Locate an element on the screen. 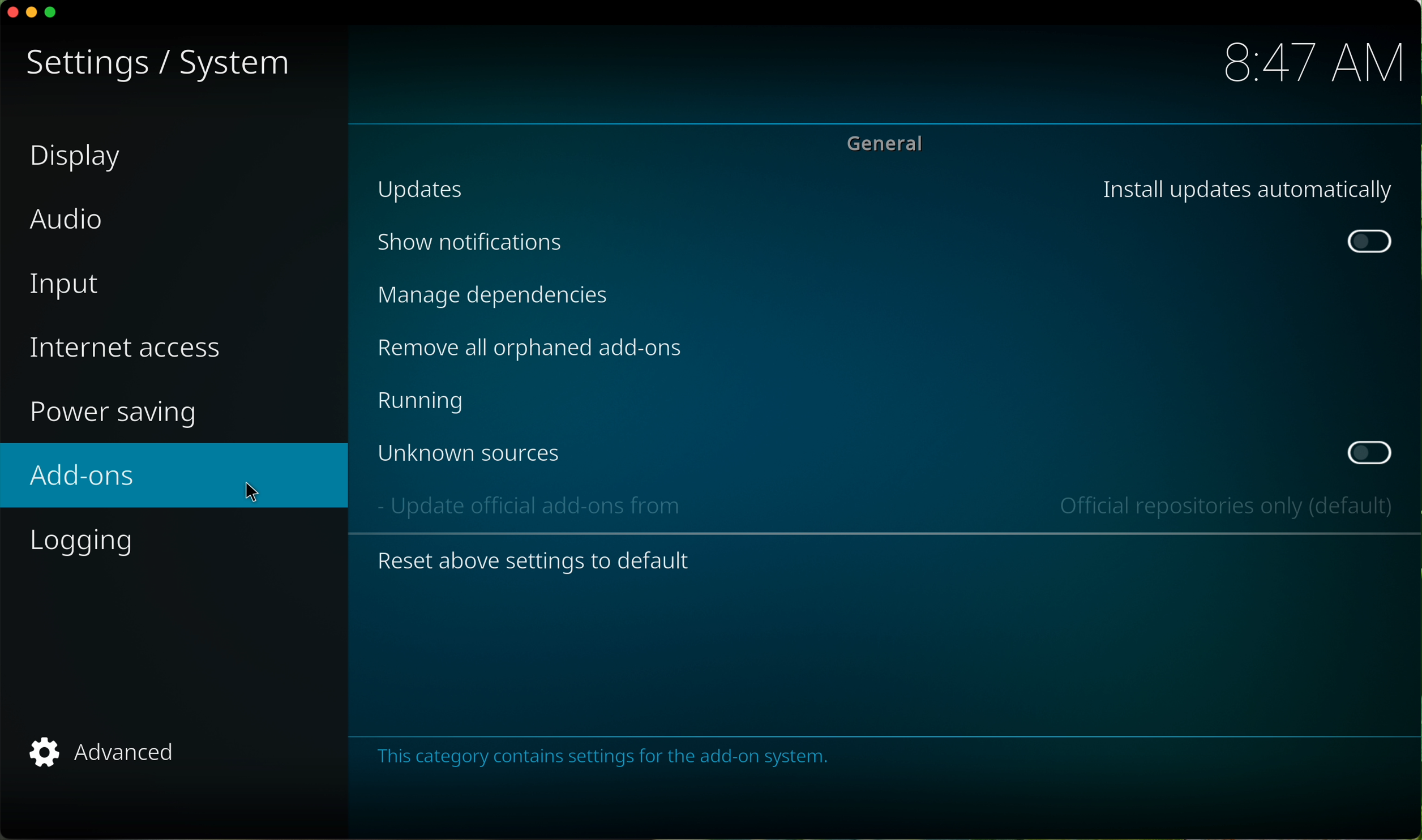  mouse is located at coordinates (253, 490).